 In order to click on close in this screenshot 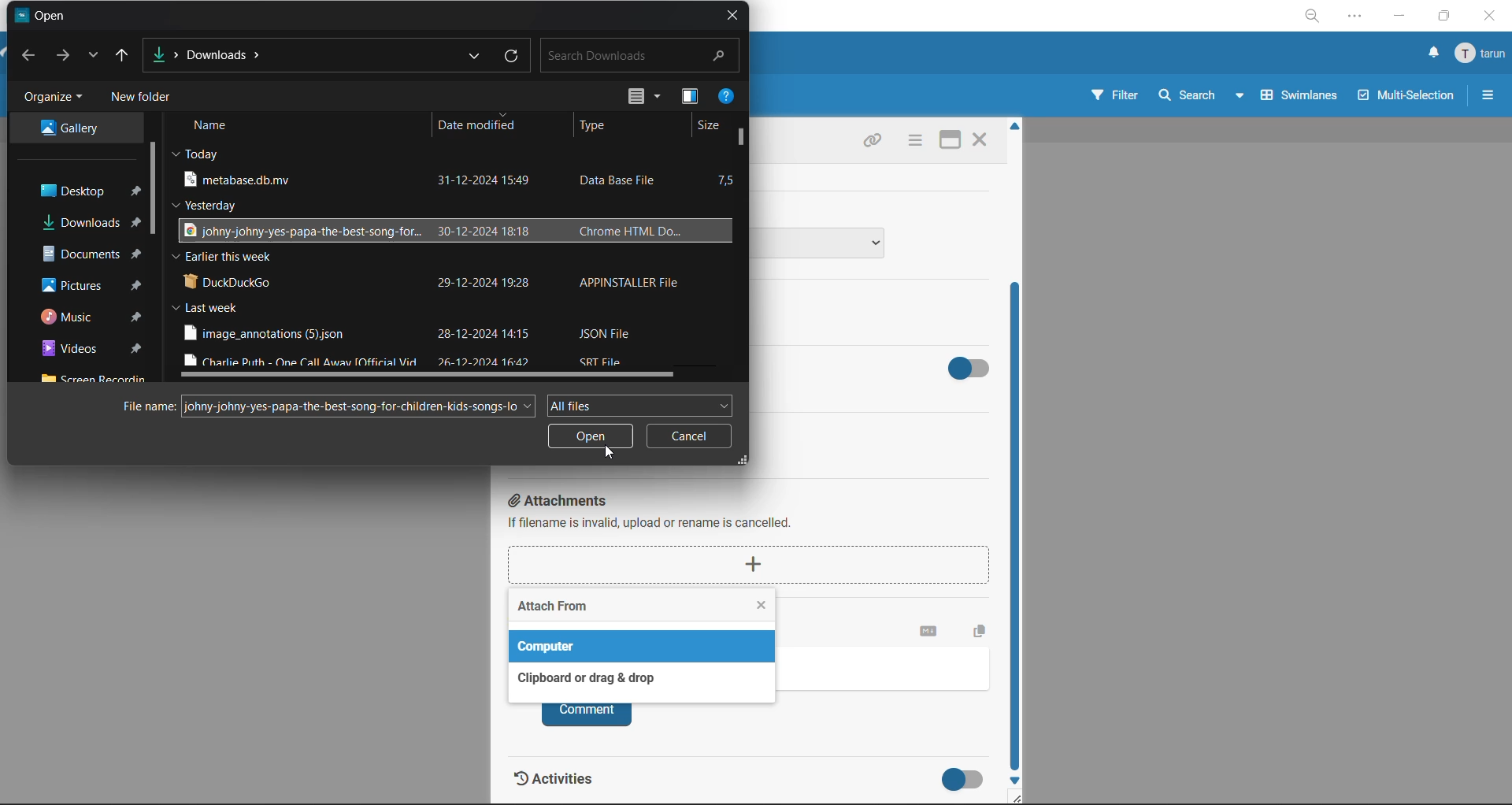, I will do `click(1492, 18)`.